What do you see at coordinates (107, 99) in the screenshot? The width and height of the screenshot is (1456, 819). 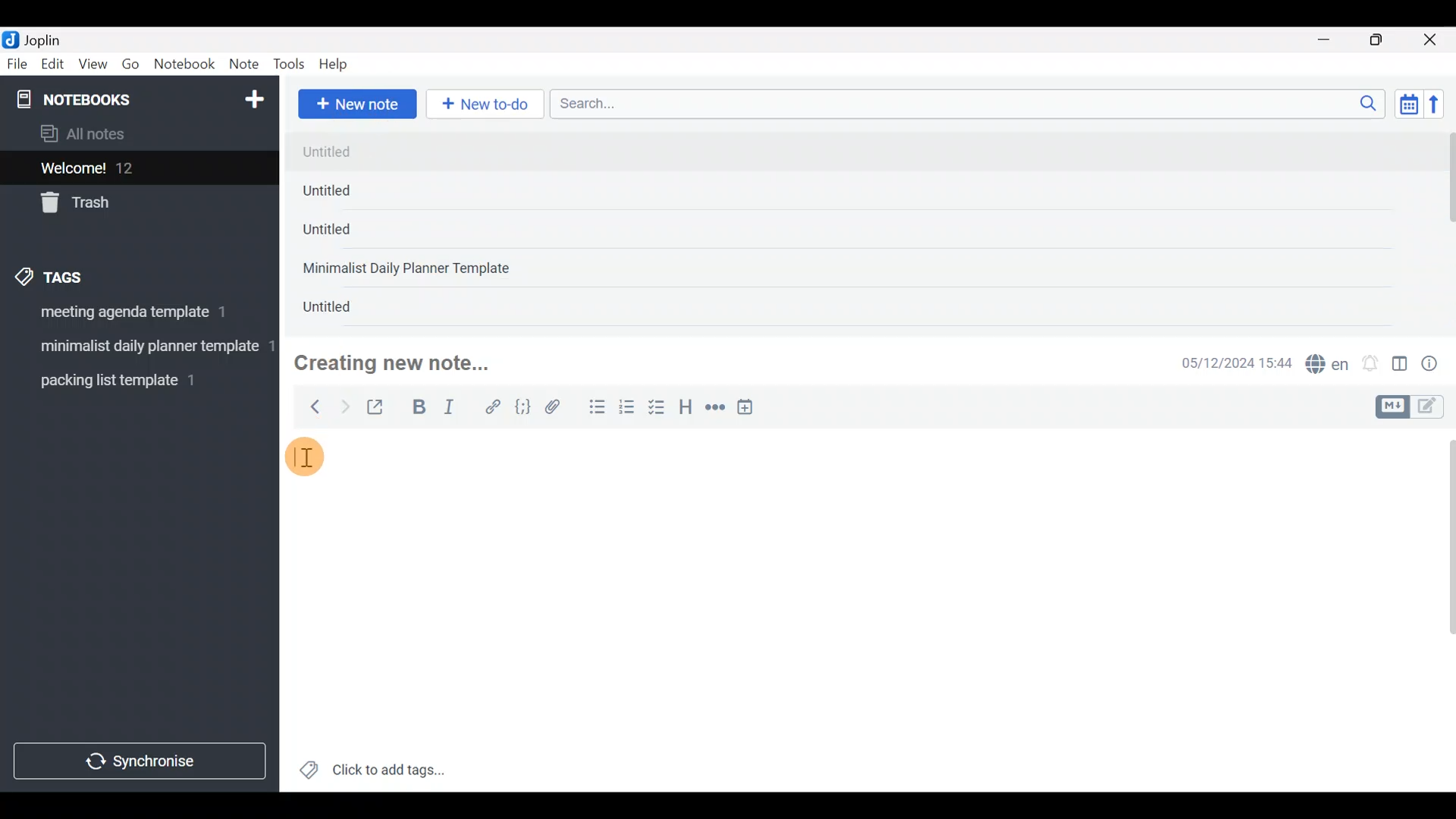 I see `Notebooks` at bounding box center [107, 99].